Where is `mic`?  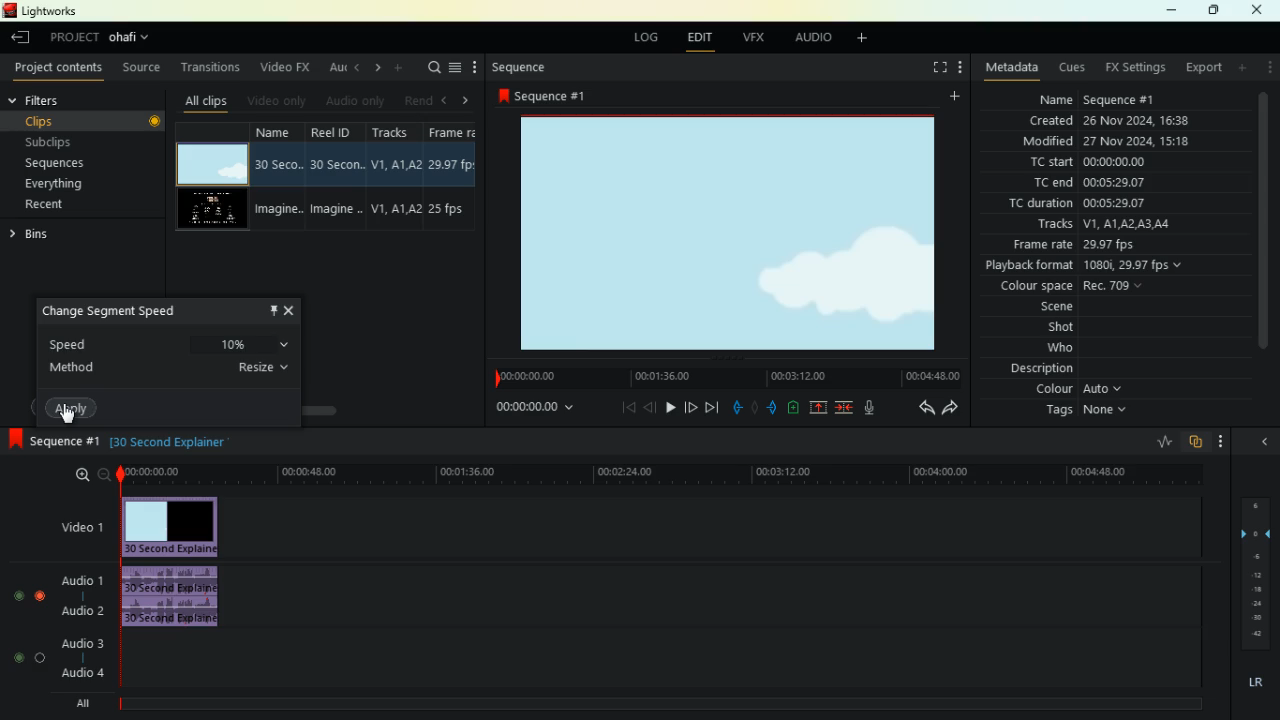 mic is located at coordinates (873, 405).